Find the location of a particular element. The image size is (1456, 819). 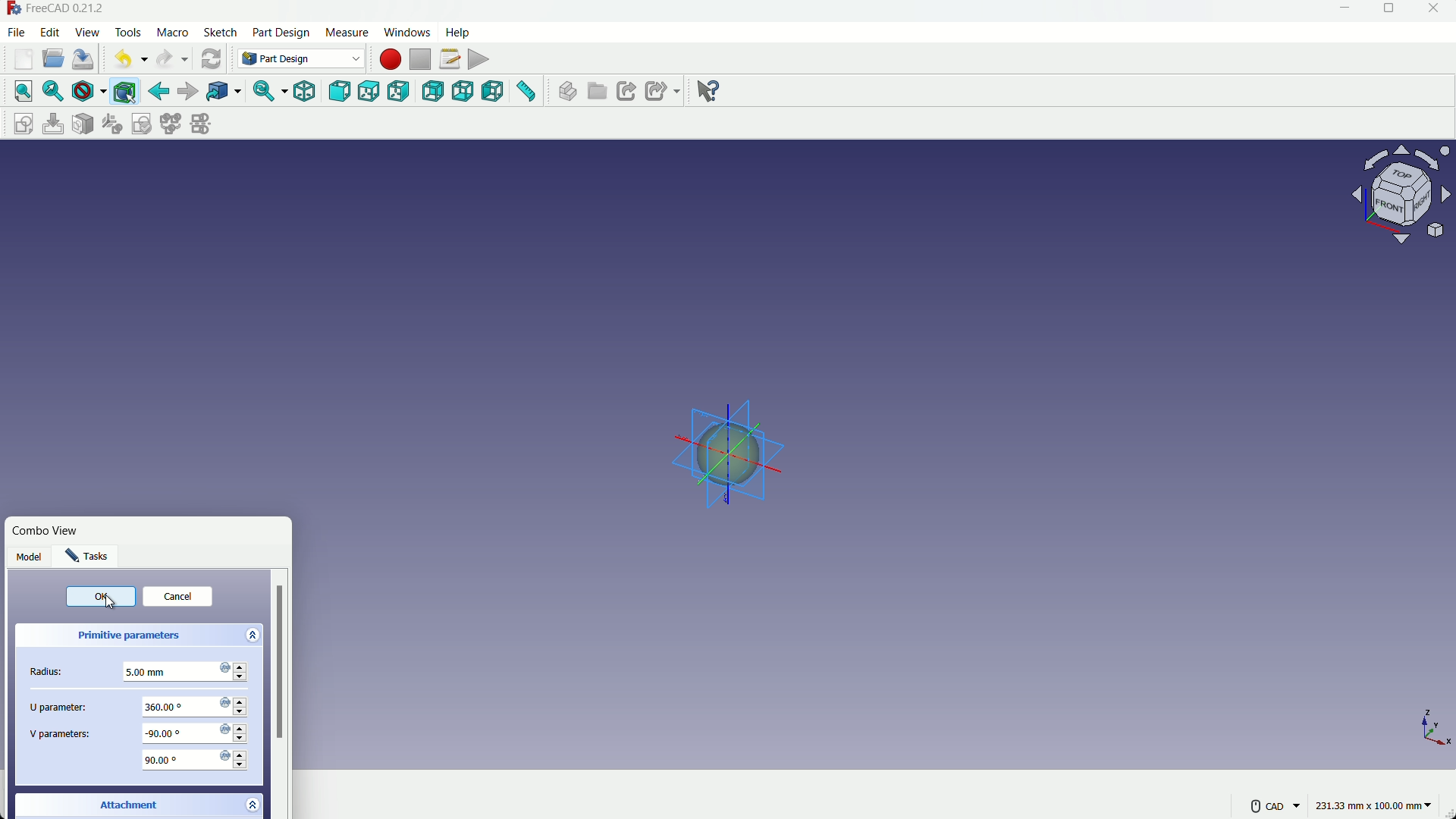

FreeCAD 0.21.2 is located at coordinates (67, 8).